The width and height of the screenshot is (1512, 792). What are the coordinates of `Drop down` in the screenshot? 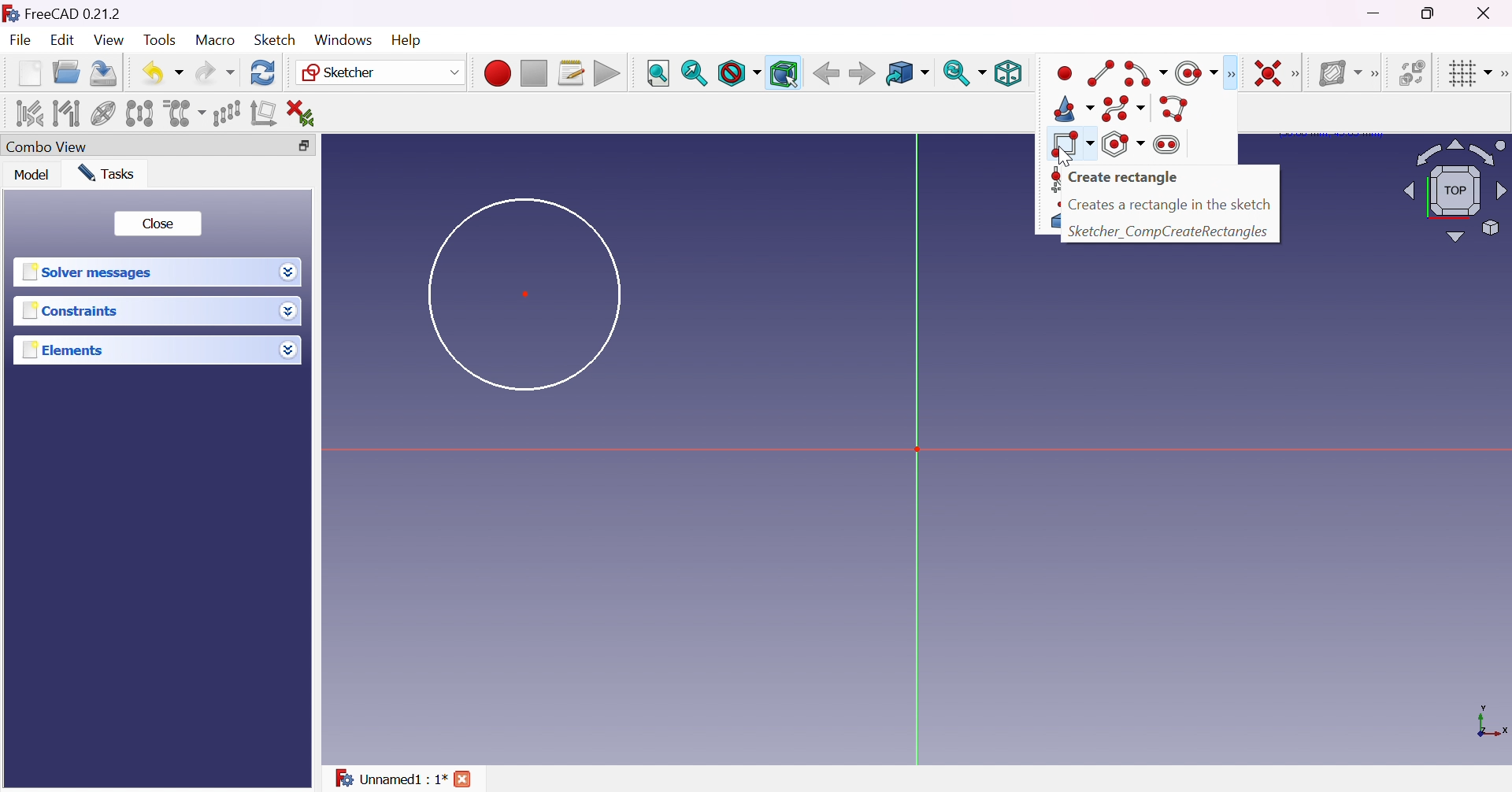 It's located at (289, 272).